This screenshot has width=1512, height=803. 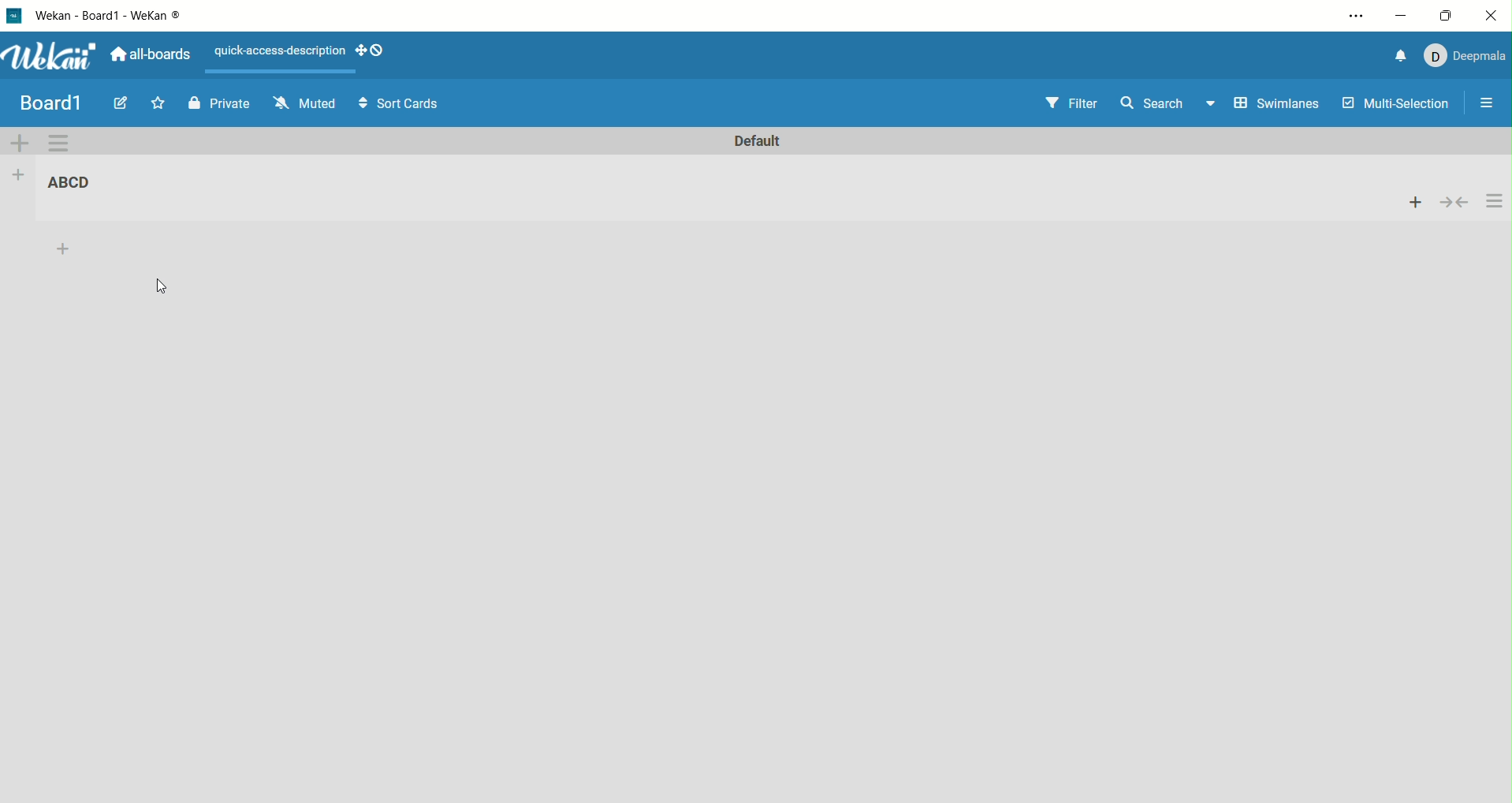 What do you see at coordinates (1403, 17) in the screenshot?
I see `minimize` at bounding box center [1403, 17].